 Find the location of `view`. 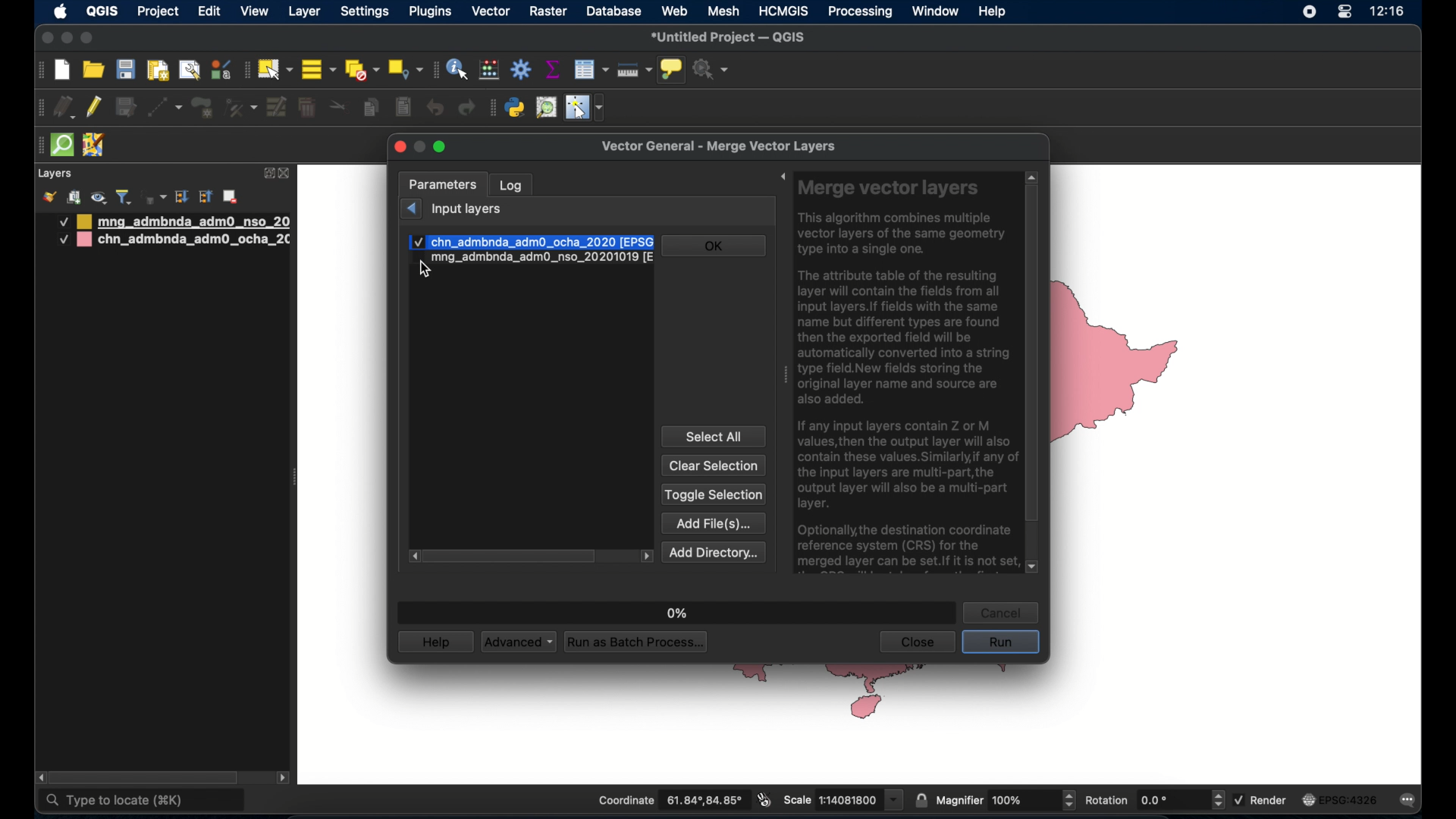

view is located at coordinates (255, 13).